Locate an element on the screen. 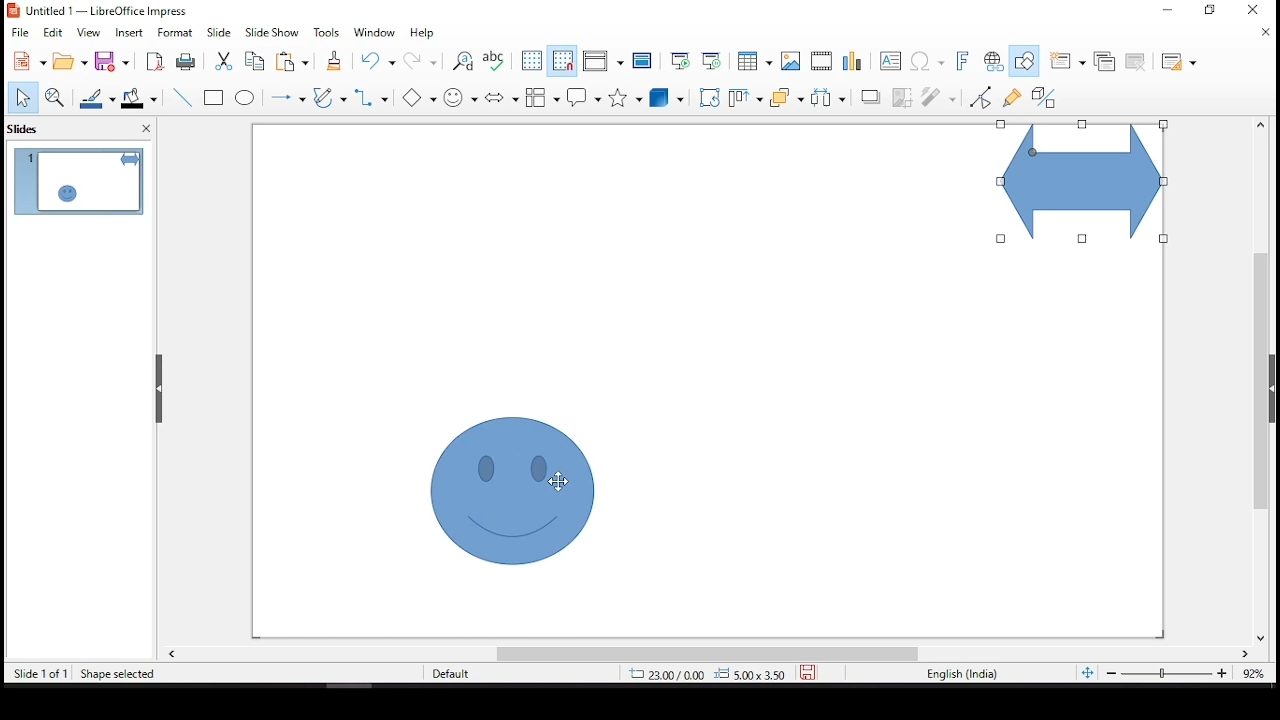 Image resolution: width=1280 pixels, height=720 pixels. window is located at coordinates (378, 33).